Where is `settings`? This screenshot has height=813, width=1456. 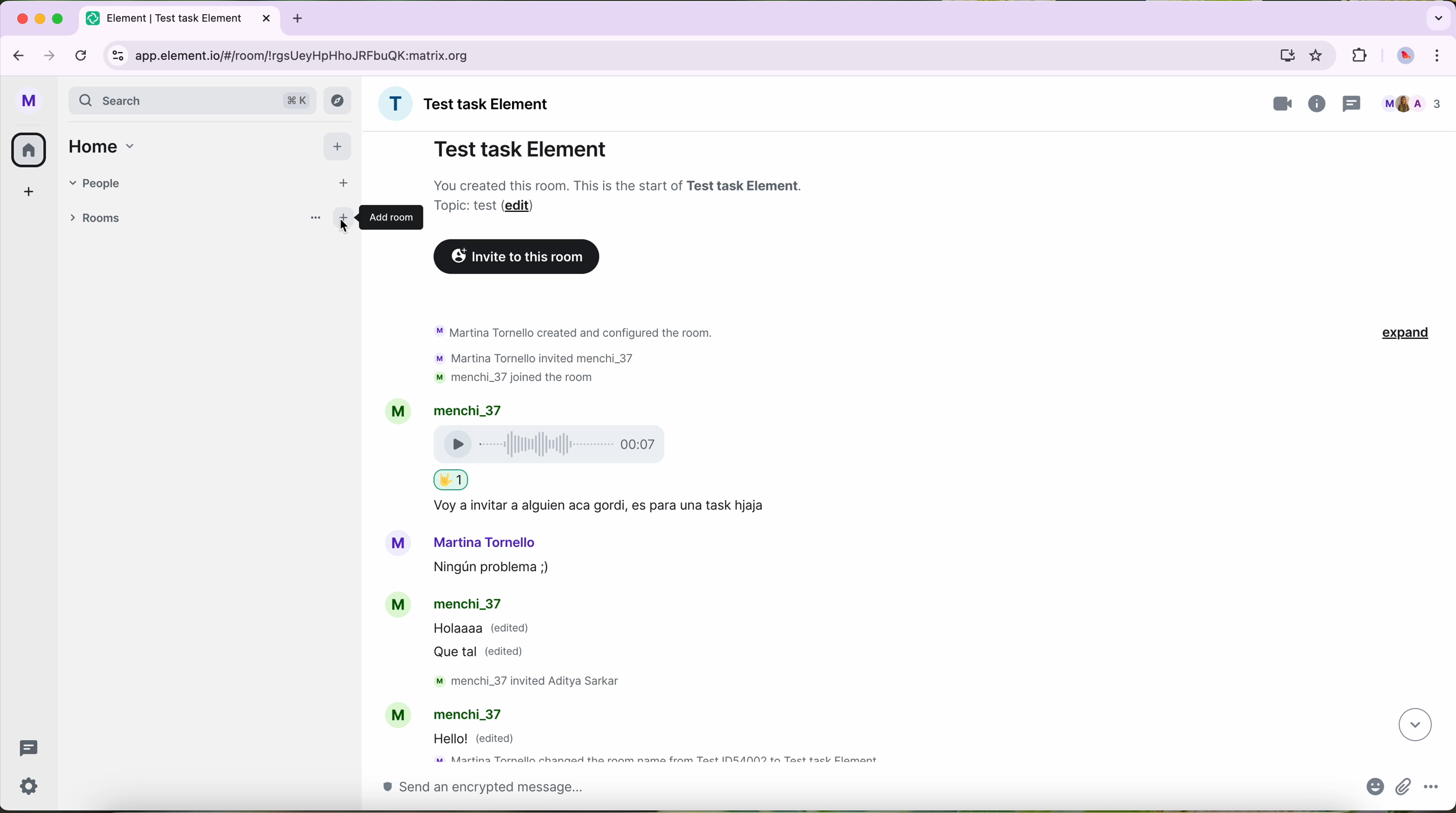 settings is located at coordinates (32, 788).